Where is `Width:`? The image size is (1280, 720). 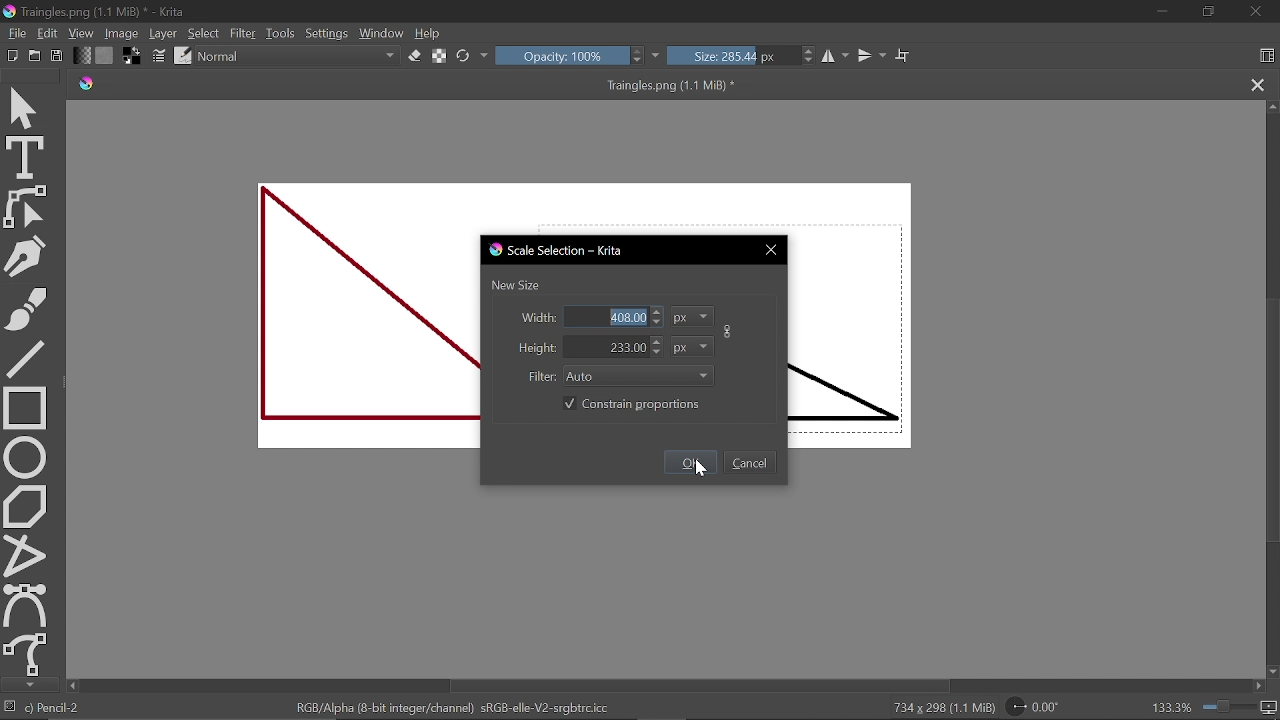
Width: is located at coordinates (536, 318).